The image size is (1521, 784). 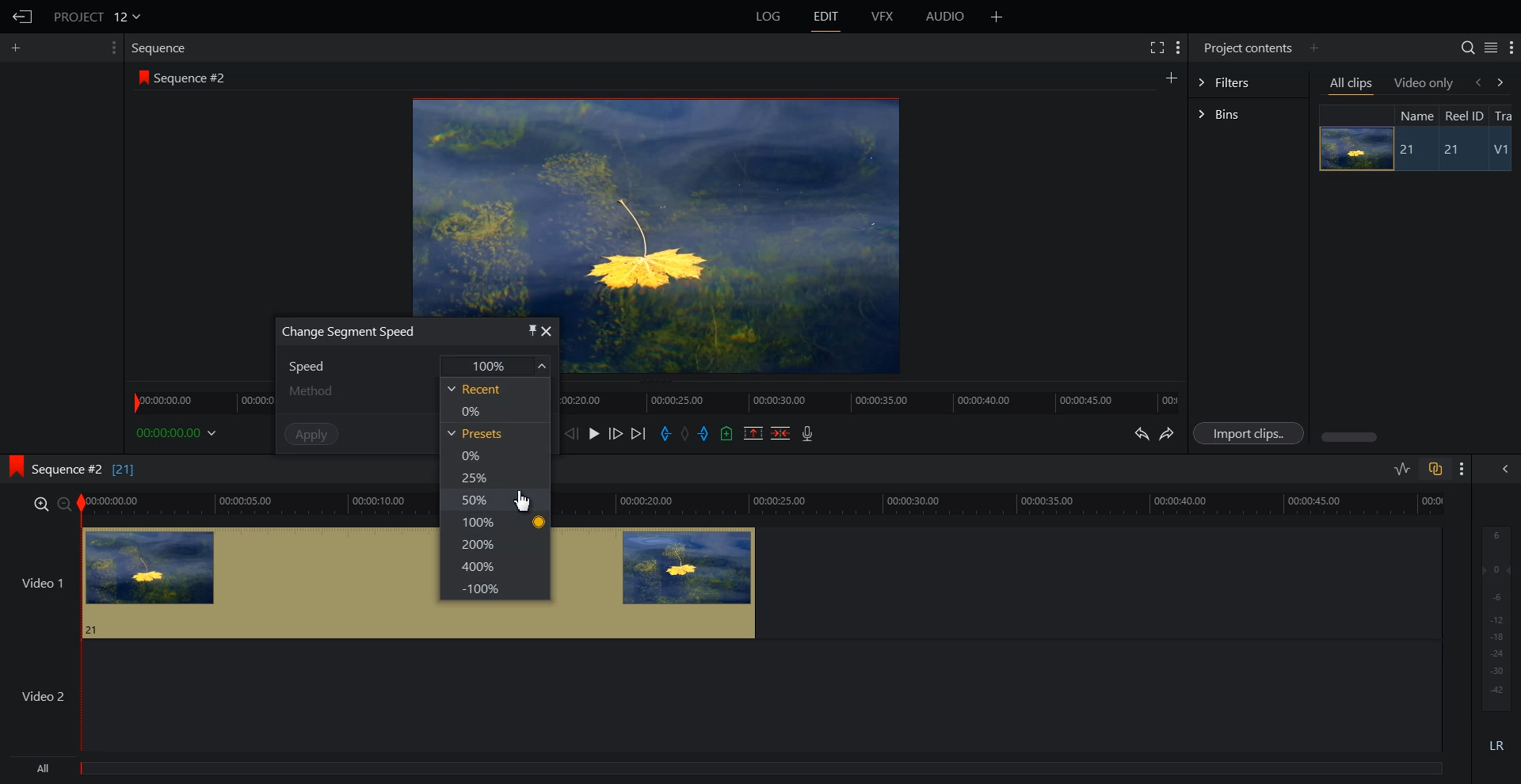 What do you see at coordinates (317, 392) in the screenshot?
I see `Method` at bounding box center [317, 392].